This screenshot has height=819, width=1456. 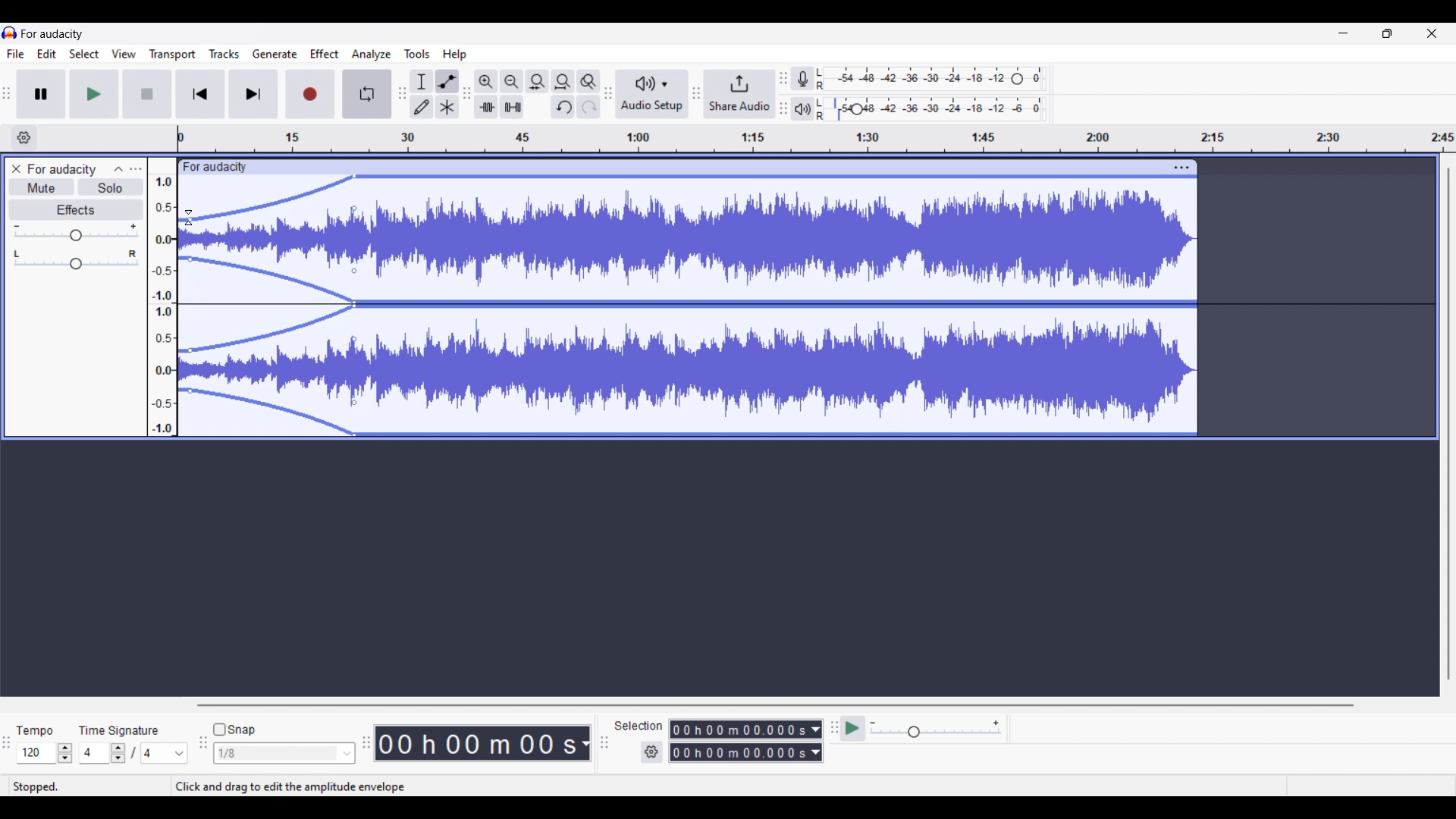 What do you see at coordinates (1388, 33) in the screenshot?
I see `Show in smaller tab` at bounding box center [1388, 33].